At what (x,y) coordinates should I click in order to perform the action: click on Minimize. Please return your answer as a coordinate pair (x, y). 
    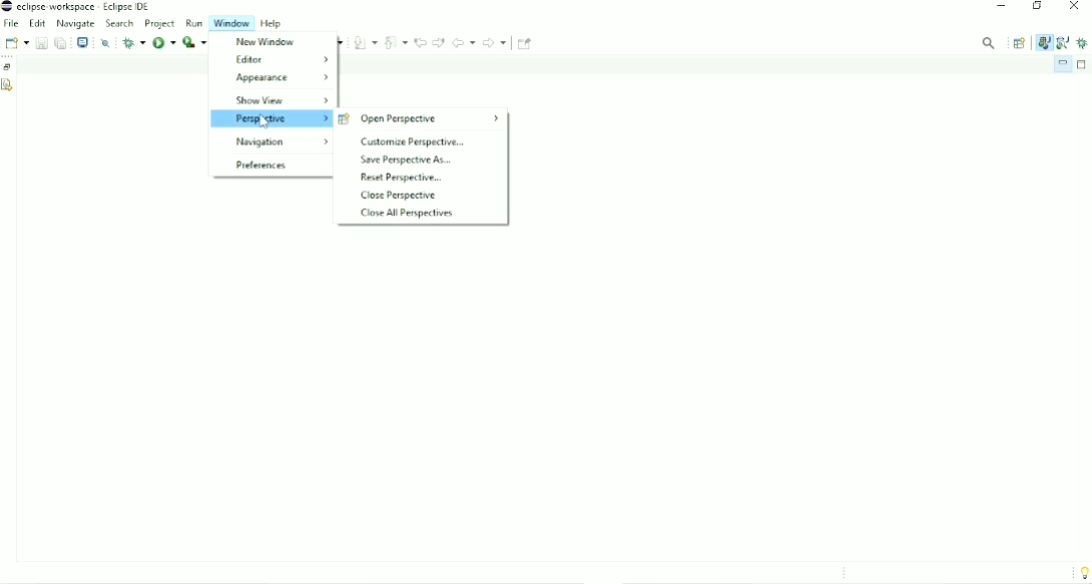
    Looking at the image, I should click on (1001, 8).